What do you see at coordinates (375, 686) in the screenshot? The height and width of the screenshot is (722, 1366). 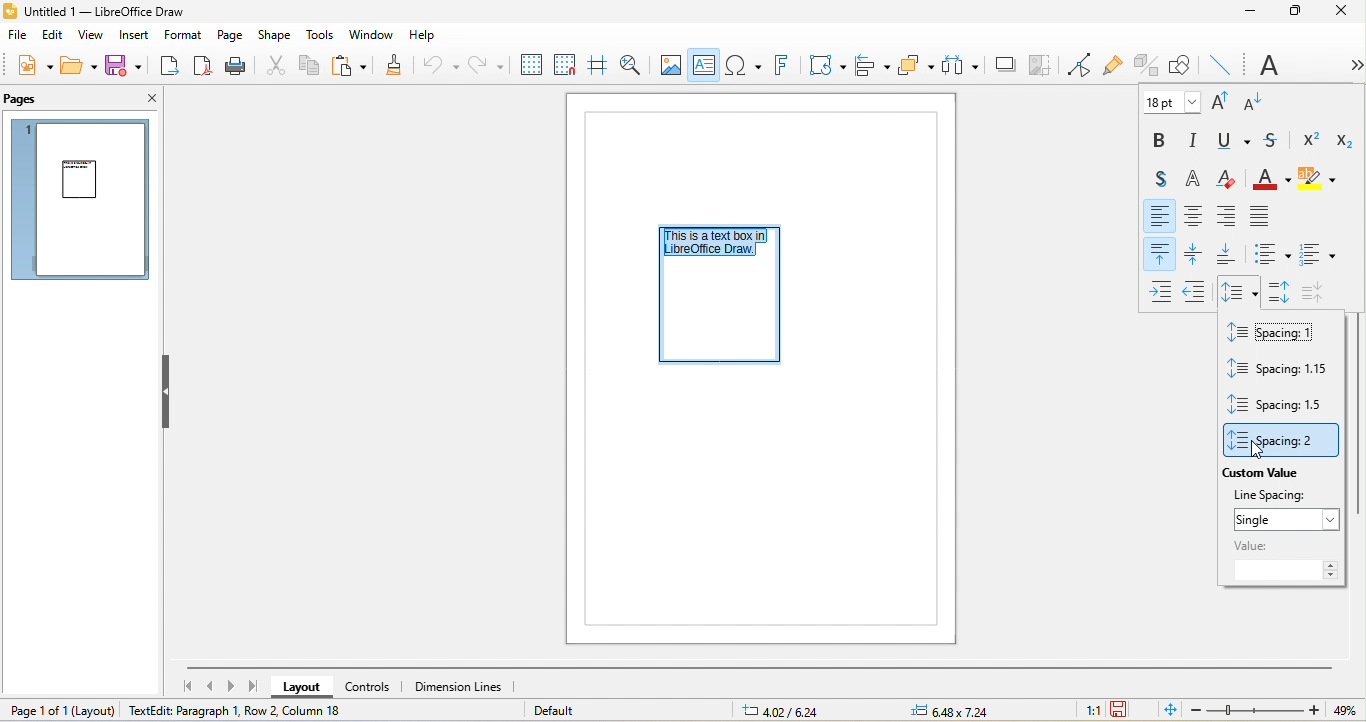 I see `controls` at bounding box center [375, 686].